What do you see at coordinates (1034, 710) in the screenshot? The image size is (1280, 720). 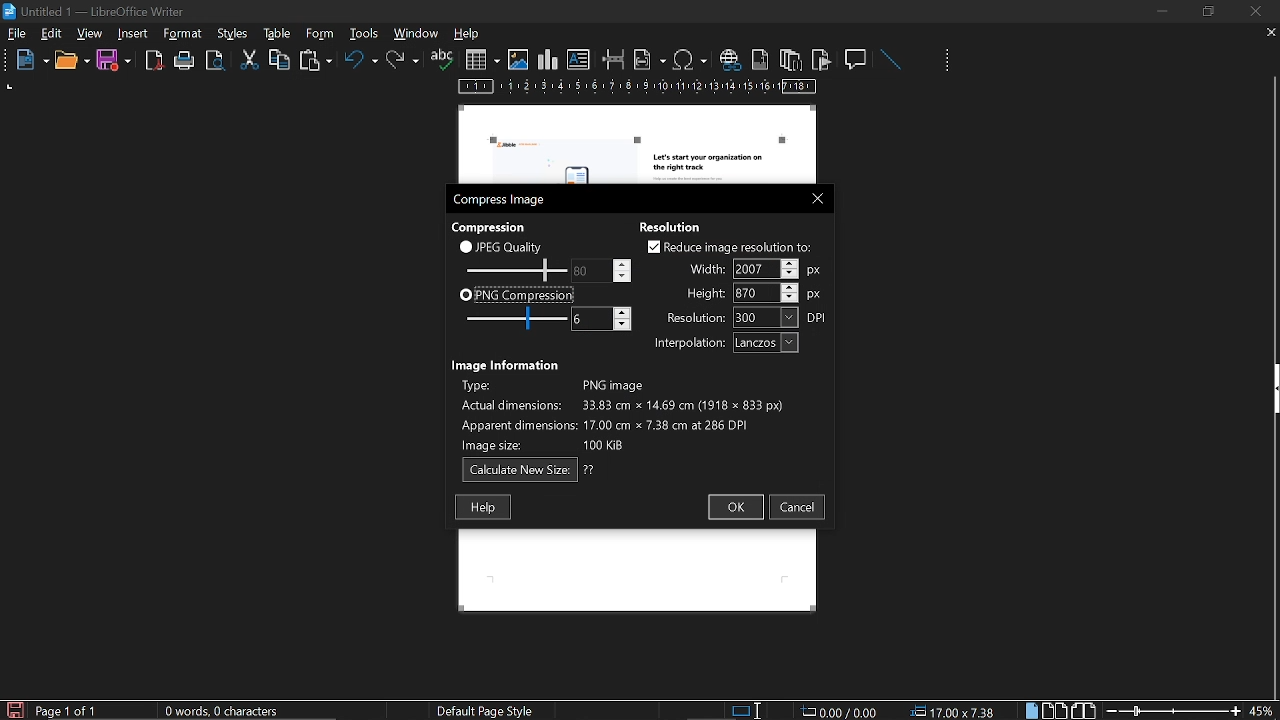 I see `single page view` at bounding box center [1034, 710].